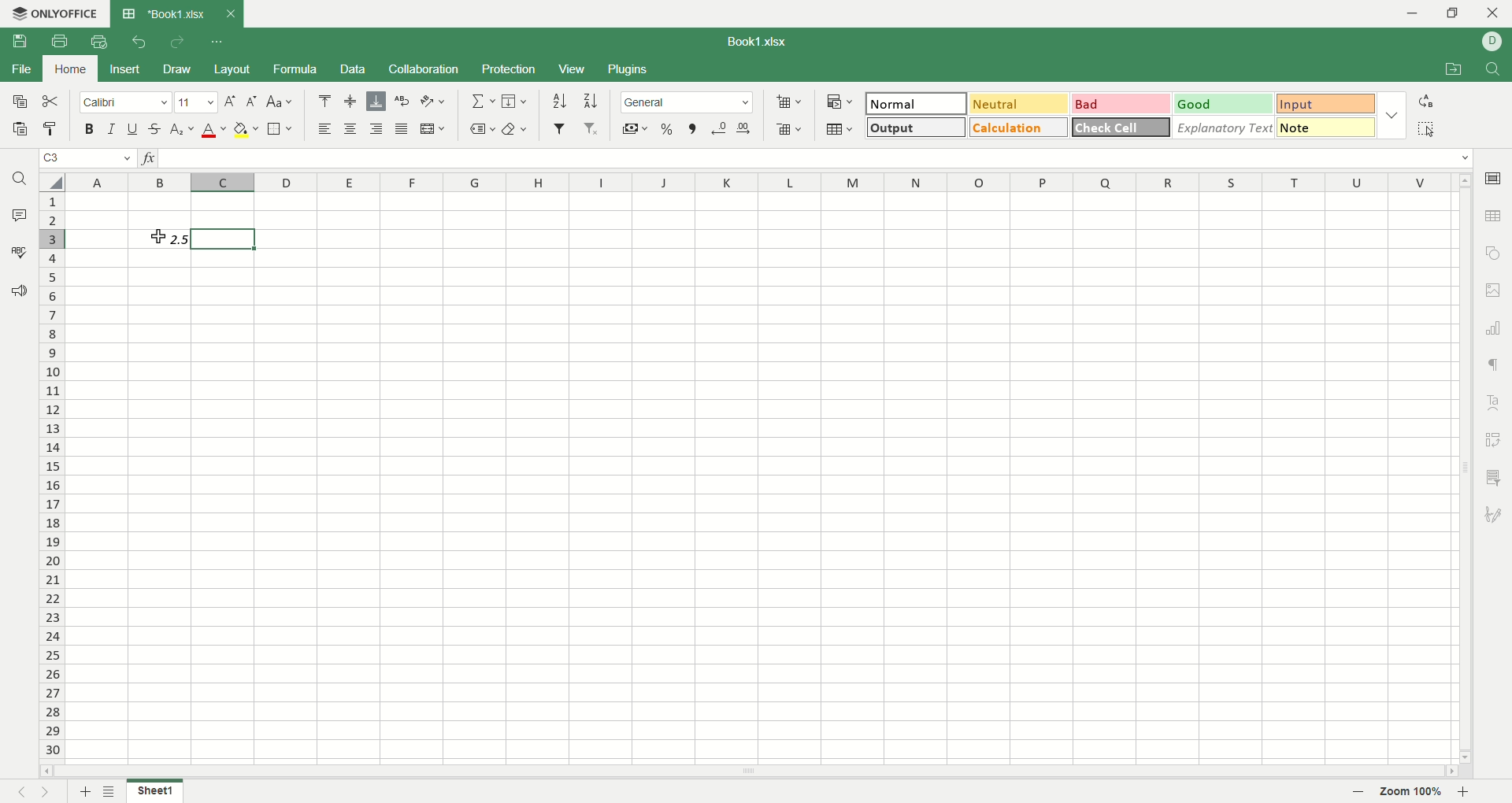  What do you see at coordinates (1121, 128) in the screenshot?
I see `check cell` at bounding box center [1121, 128].